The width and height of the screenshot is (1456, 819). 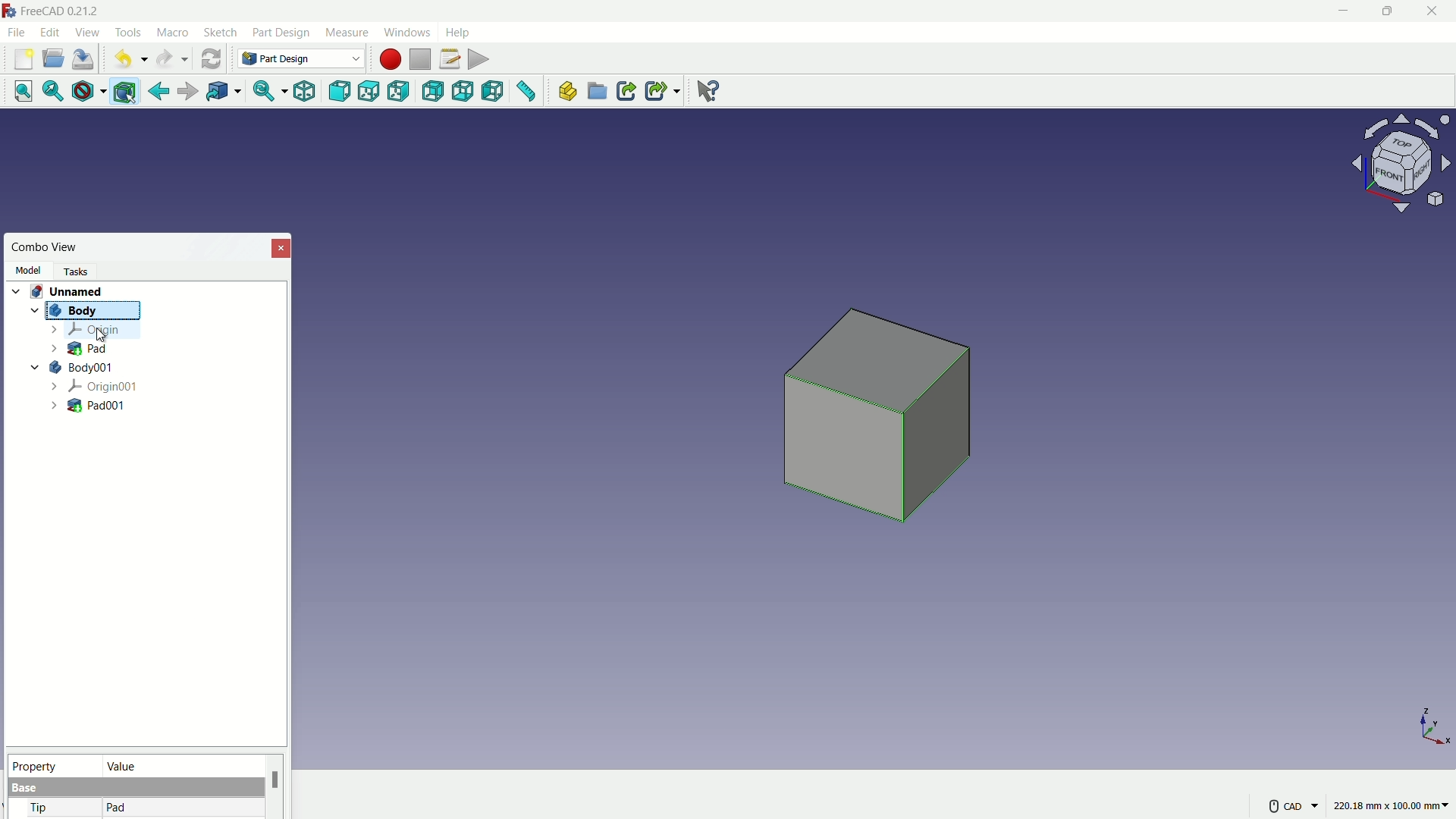 What do you see at coordinates (53, 10) in the screenshot?
I see `FreeCAD 0.21.2` at bounding box center [53, 10].